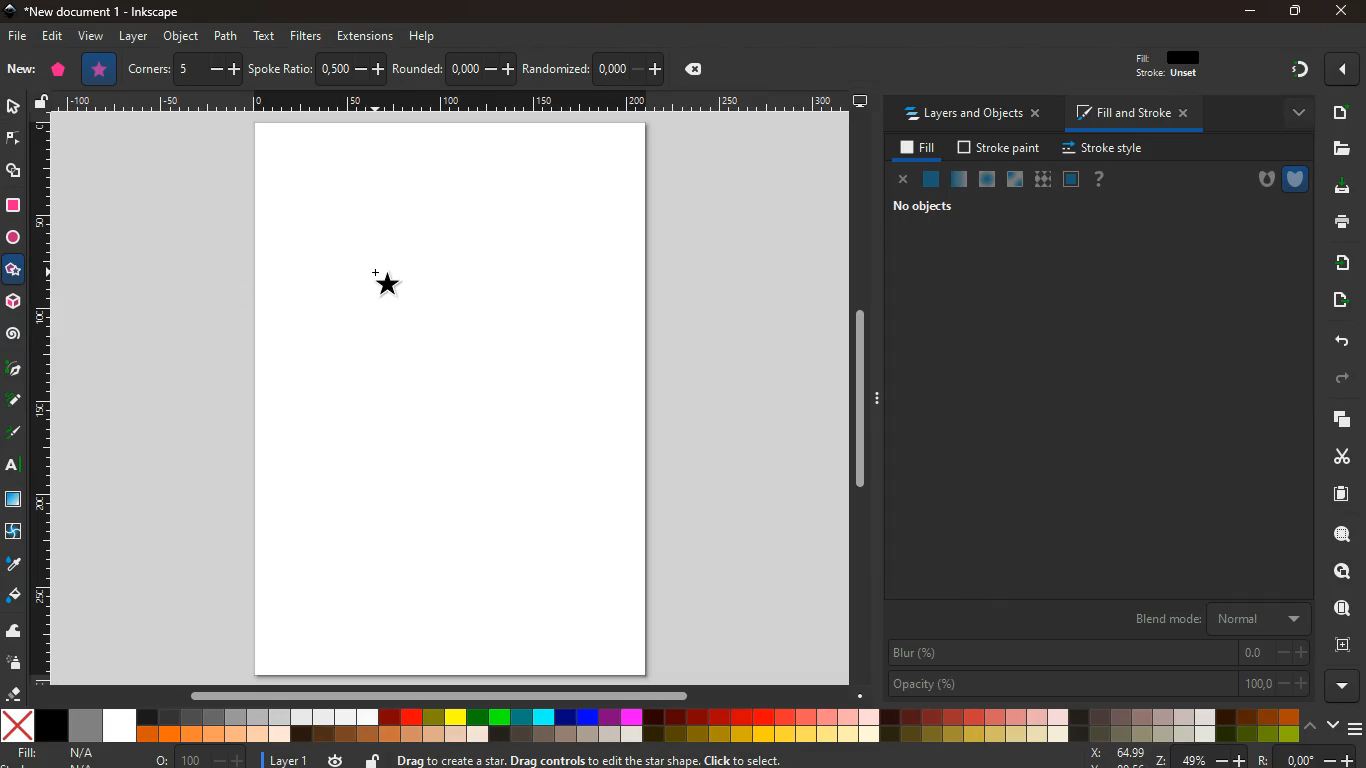  I want to click on move, so click(1337, 301).